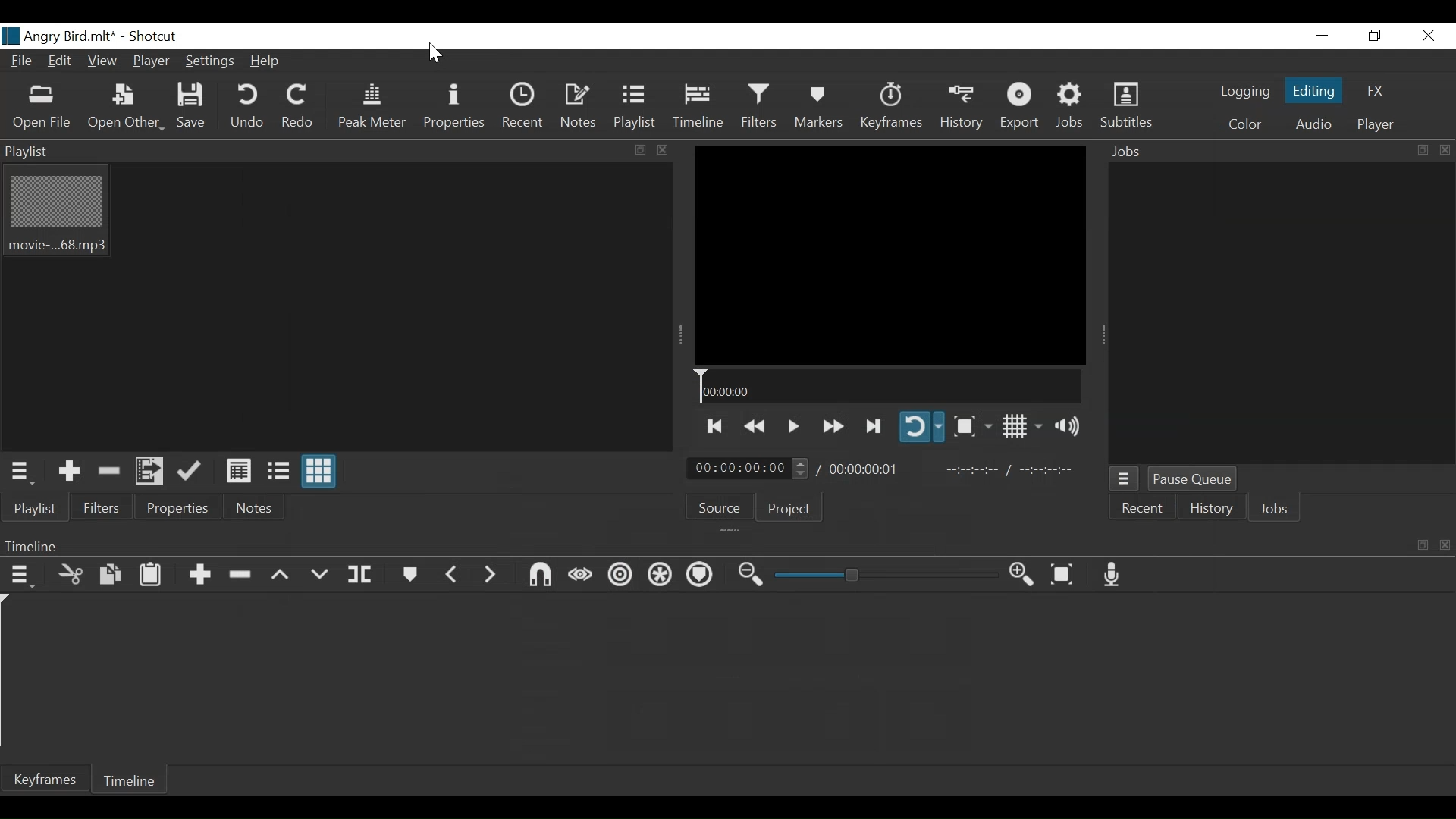  I want to click on Ripple , so click(618, 576).